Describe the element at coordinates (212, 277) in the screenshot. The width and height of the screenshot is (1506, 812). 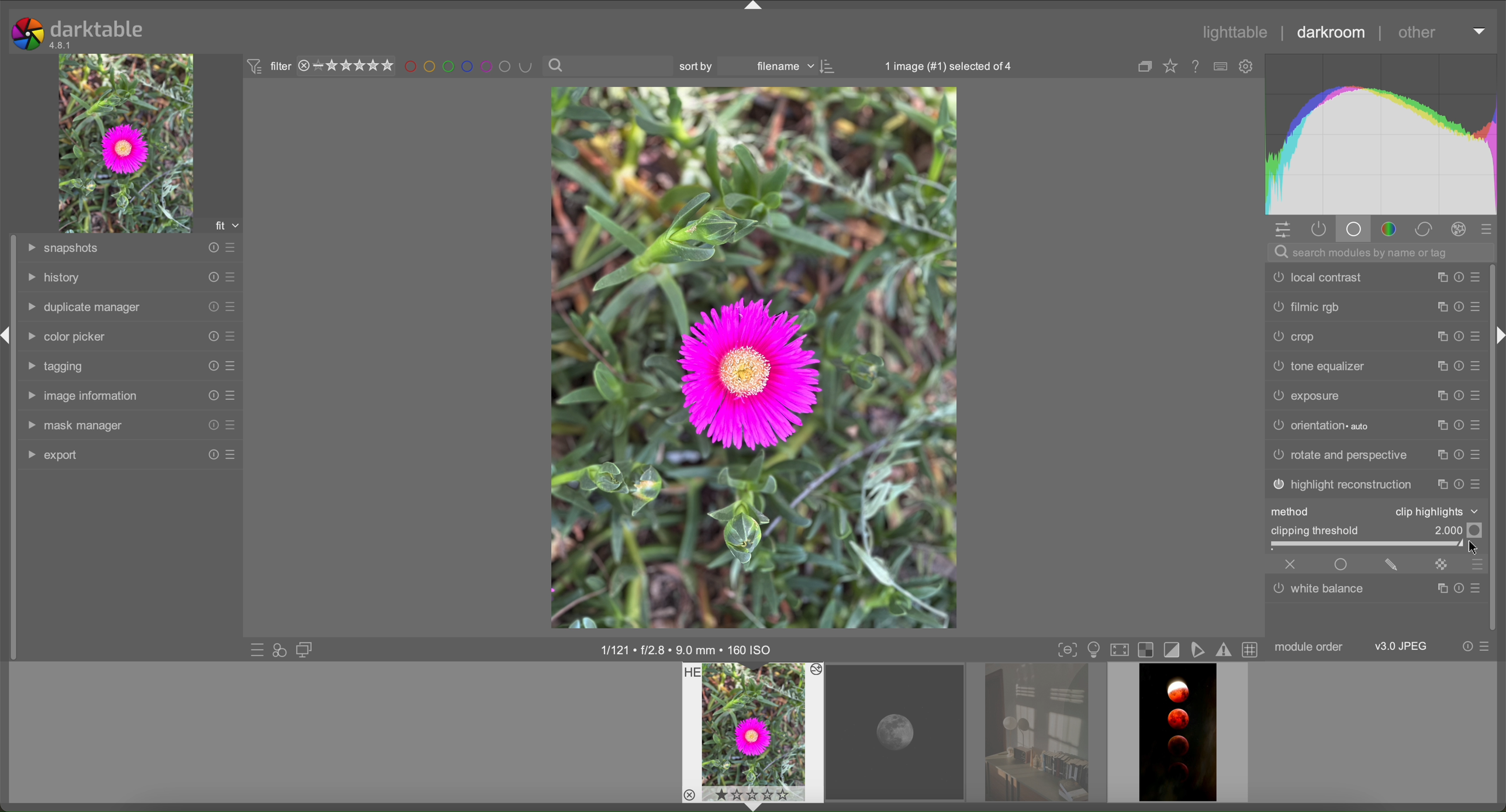
I see `reset presets` at that location.